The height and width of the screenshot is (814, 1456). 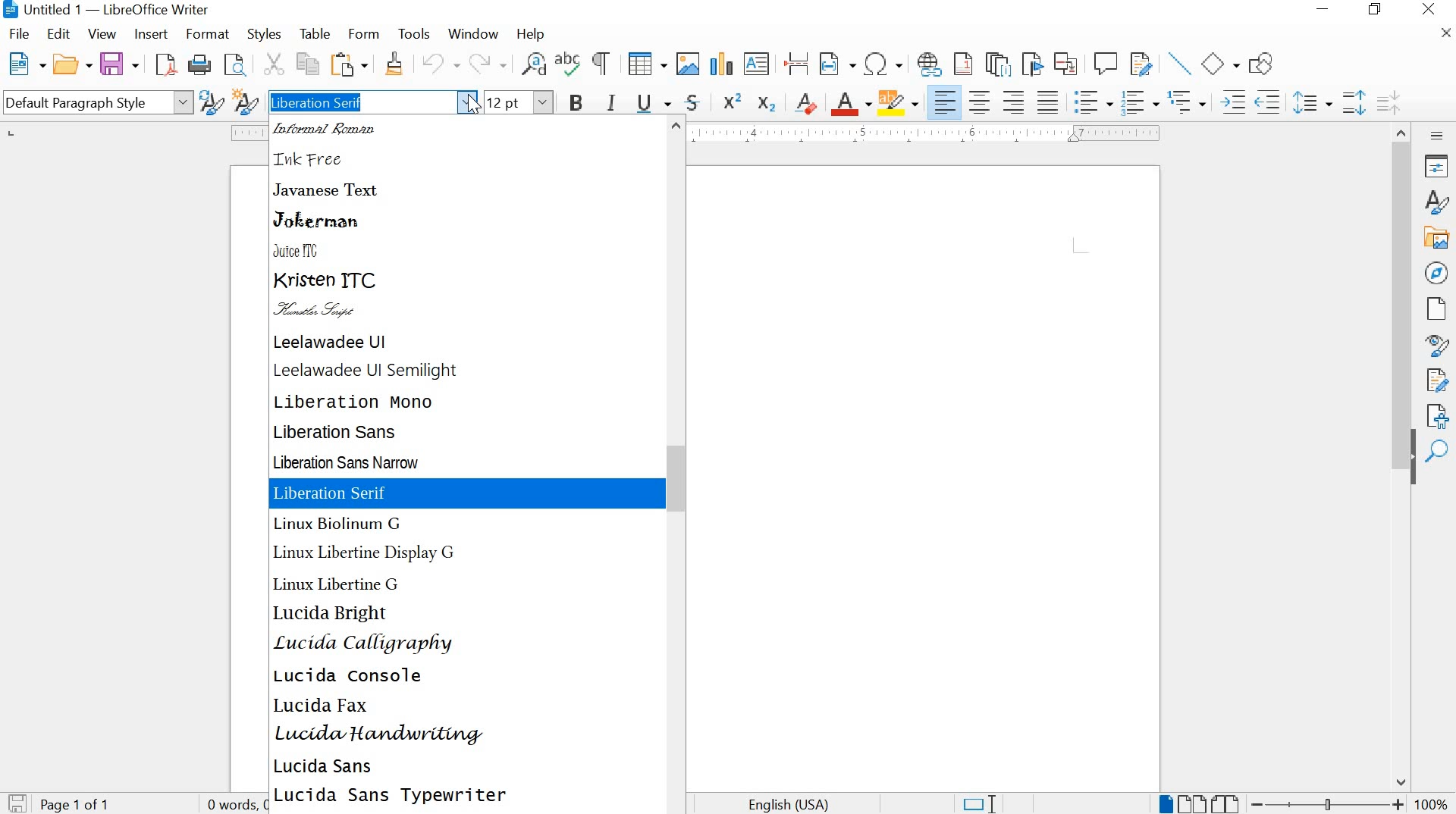 What do you see at coordinates (475, 111) in the screenshot?
I see `cursor` at bounding box center [475, 111].